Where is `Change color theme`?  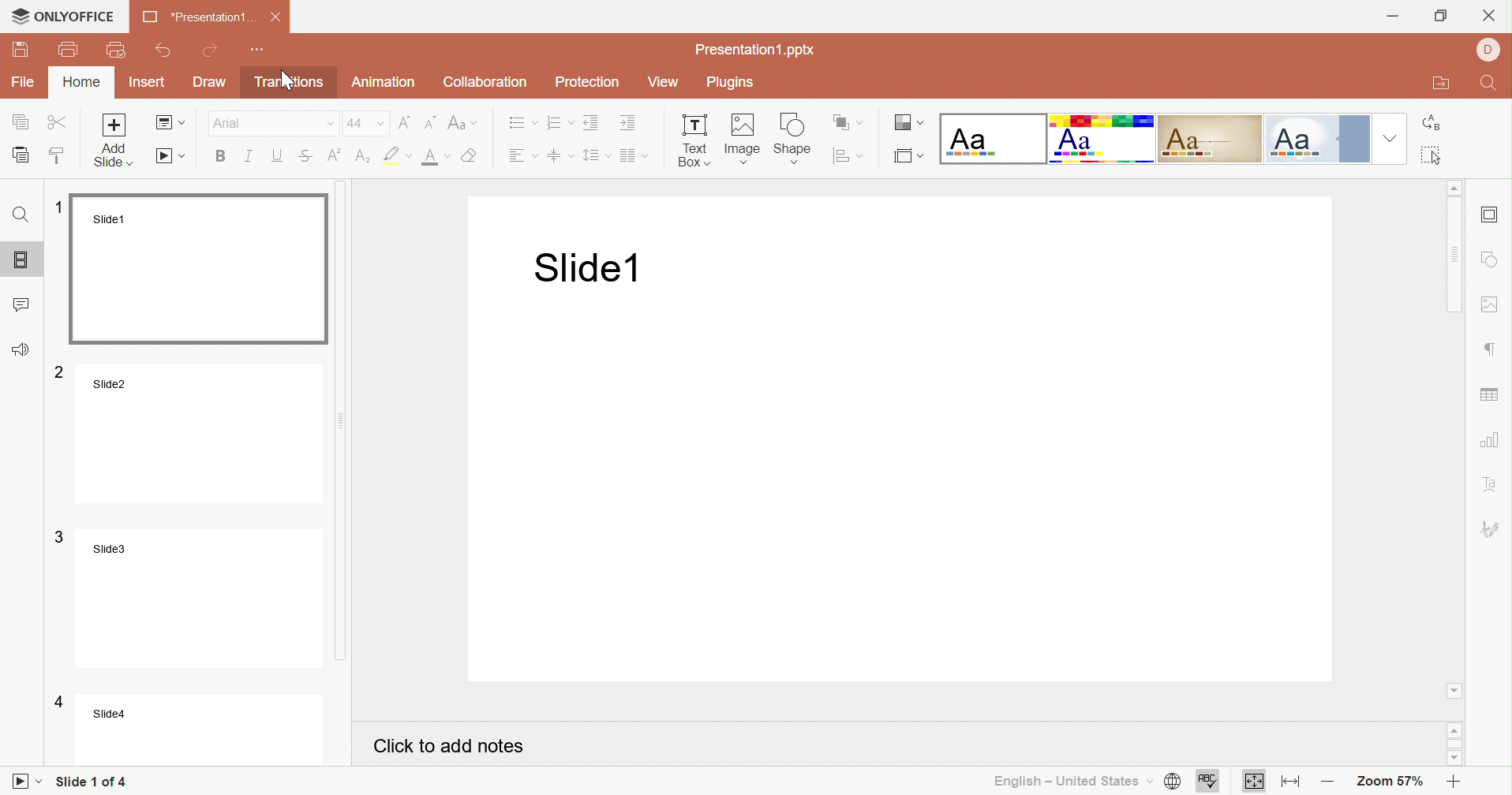 Change color theme is located at coordinates (911, 122).